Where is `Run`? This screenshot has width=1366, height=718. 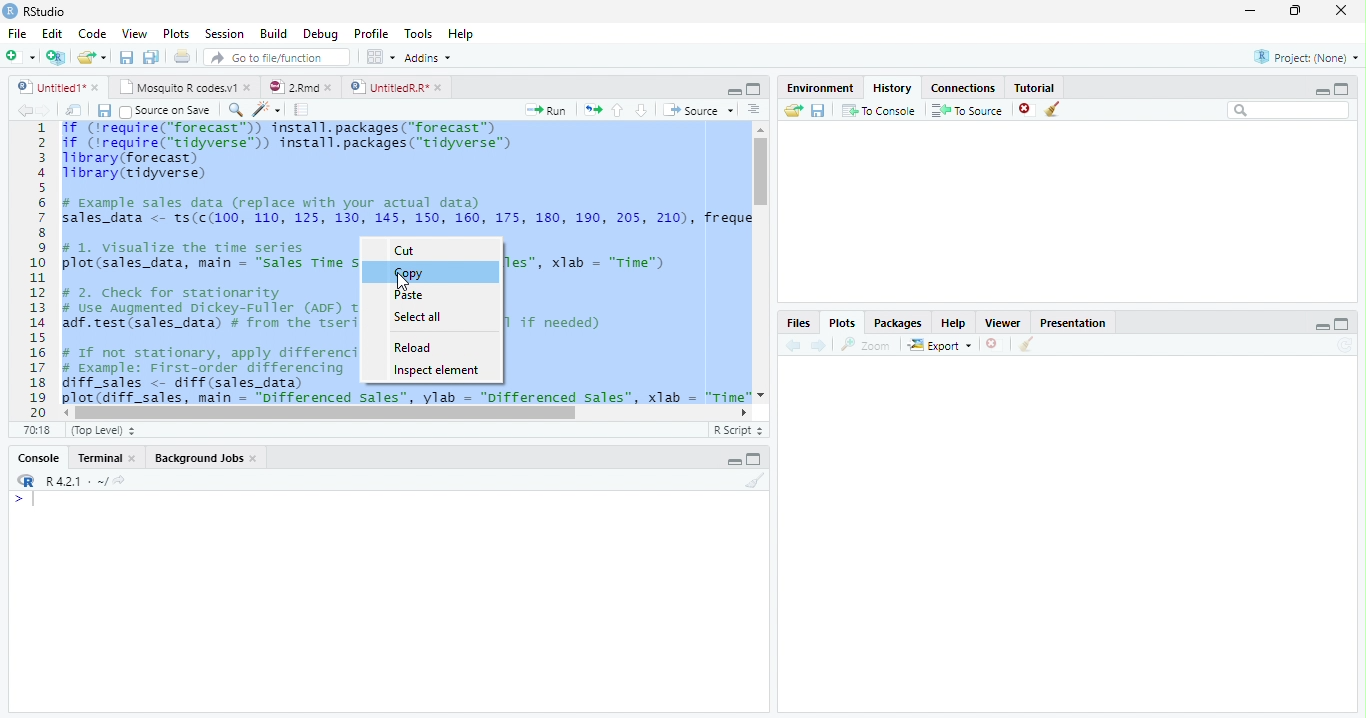 Run is located at coordinates (542, 111).